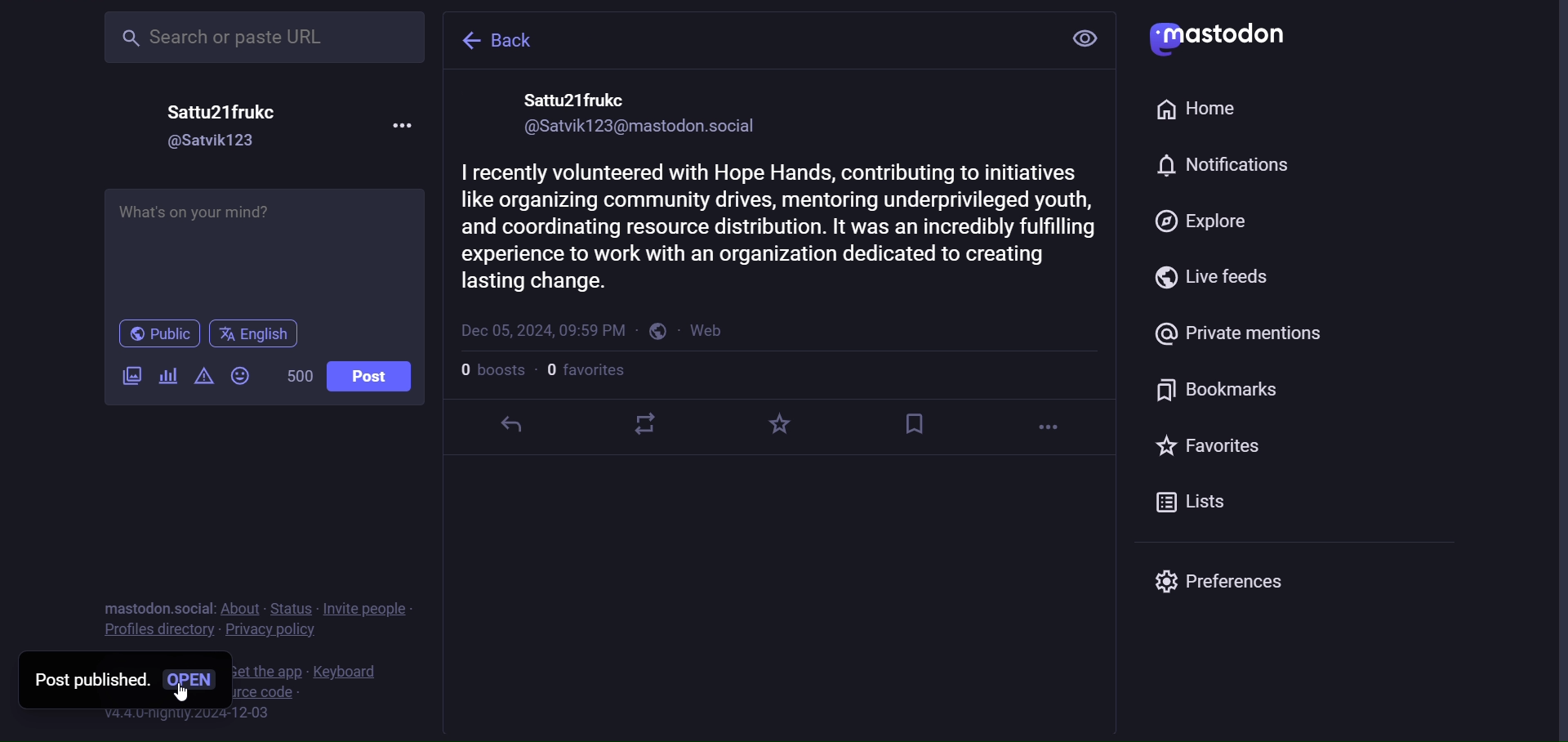  What do you see at coordinates (155, 606) in the screenshot?
I see `mastodon social` at bounding box center [155, 606].